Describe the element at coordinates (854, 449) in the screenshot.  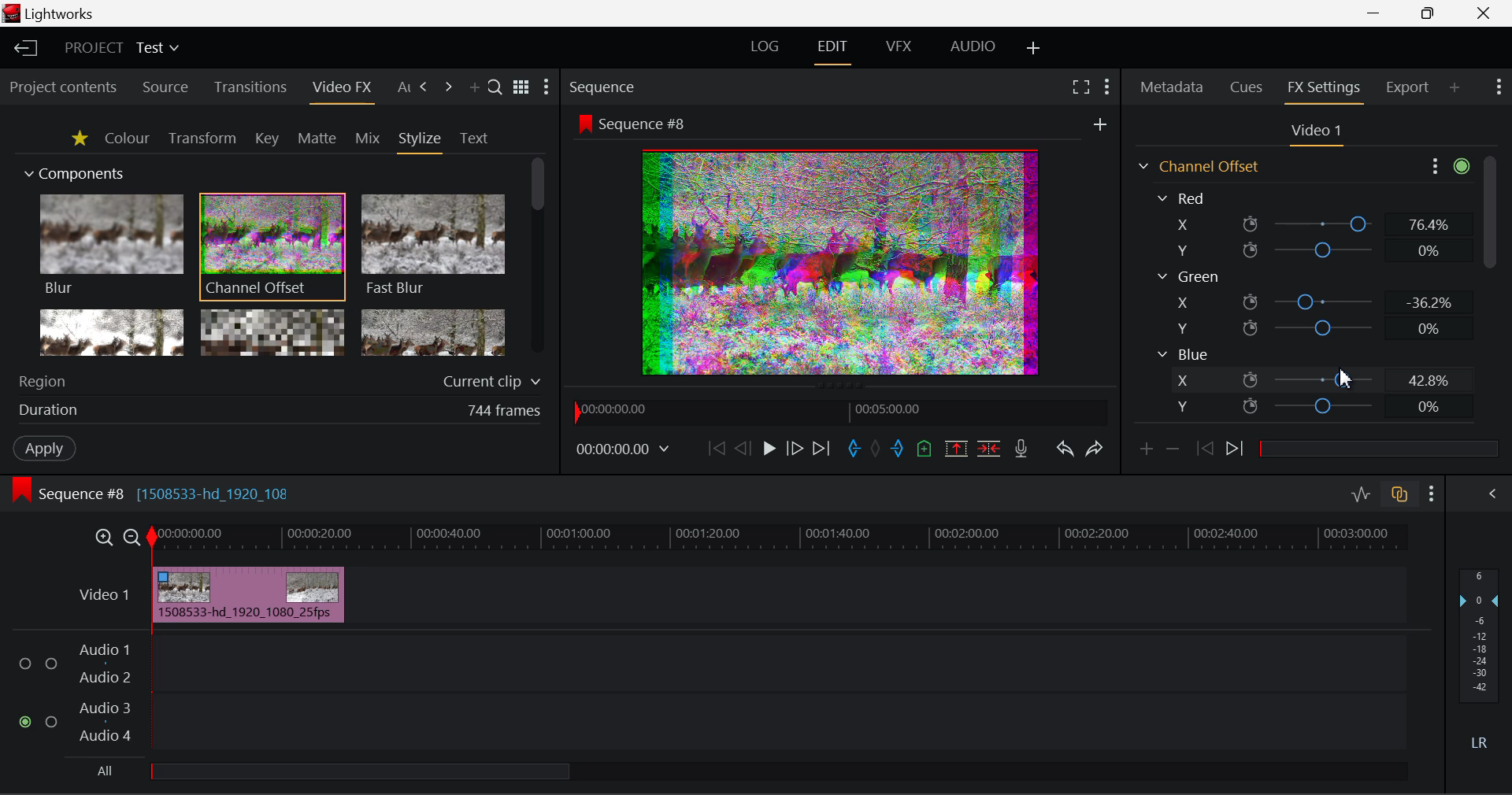
I see `Mark In` at that location.